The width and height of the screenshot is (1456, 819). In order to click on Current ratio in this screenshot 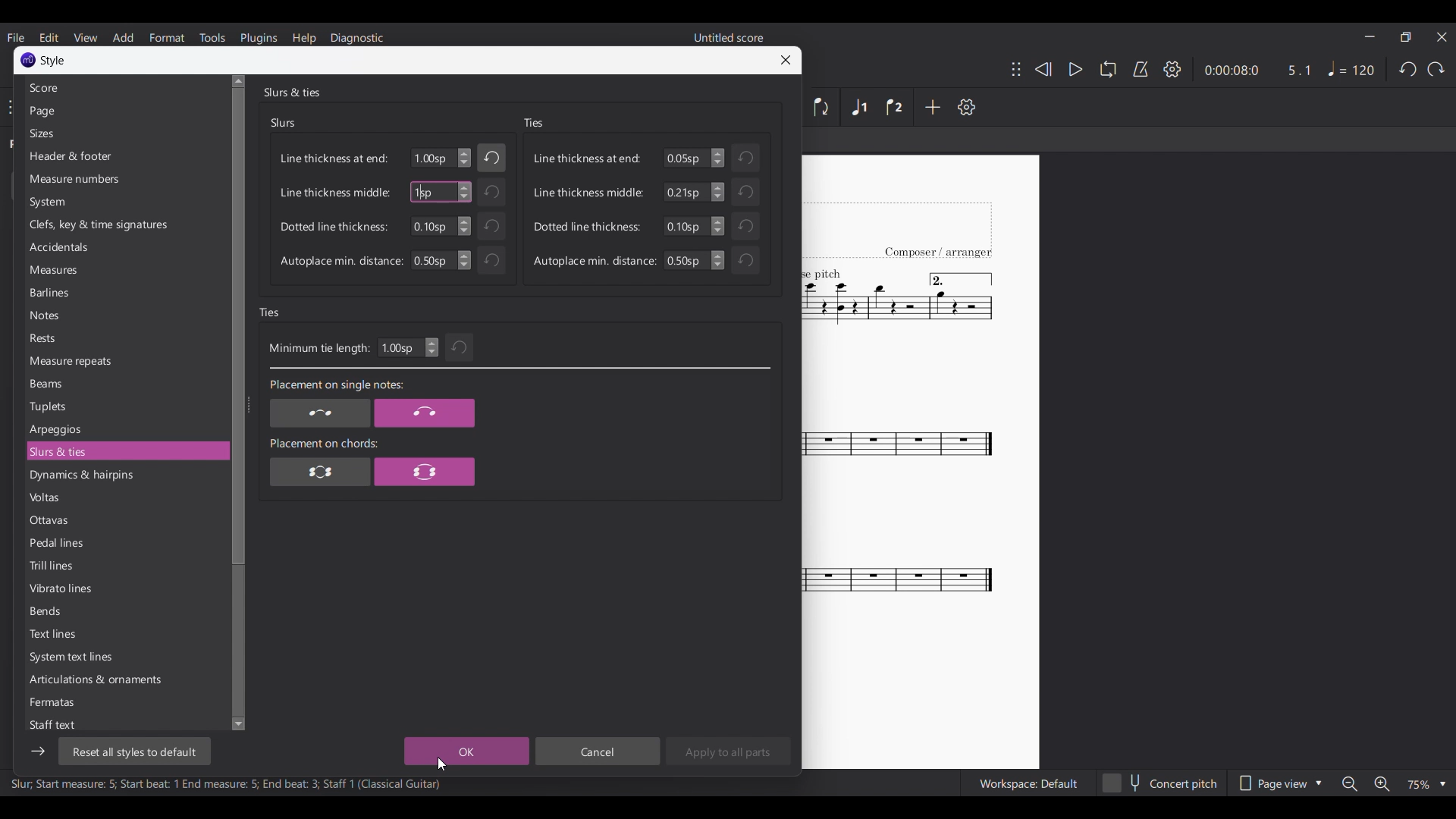, I will do `click(1299, 70)`.